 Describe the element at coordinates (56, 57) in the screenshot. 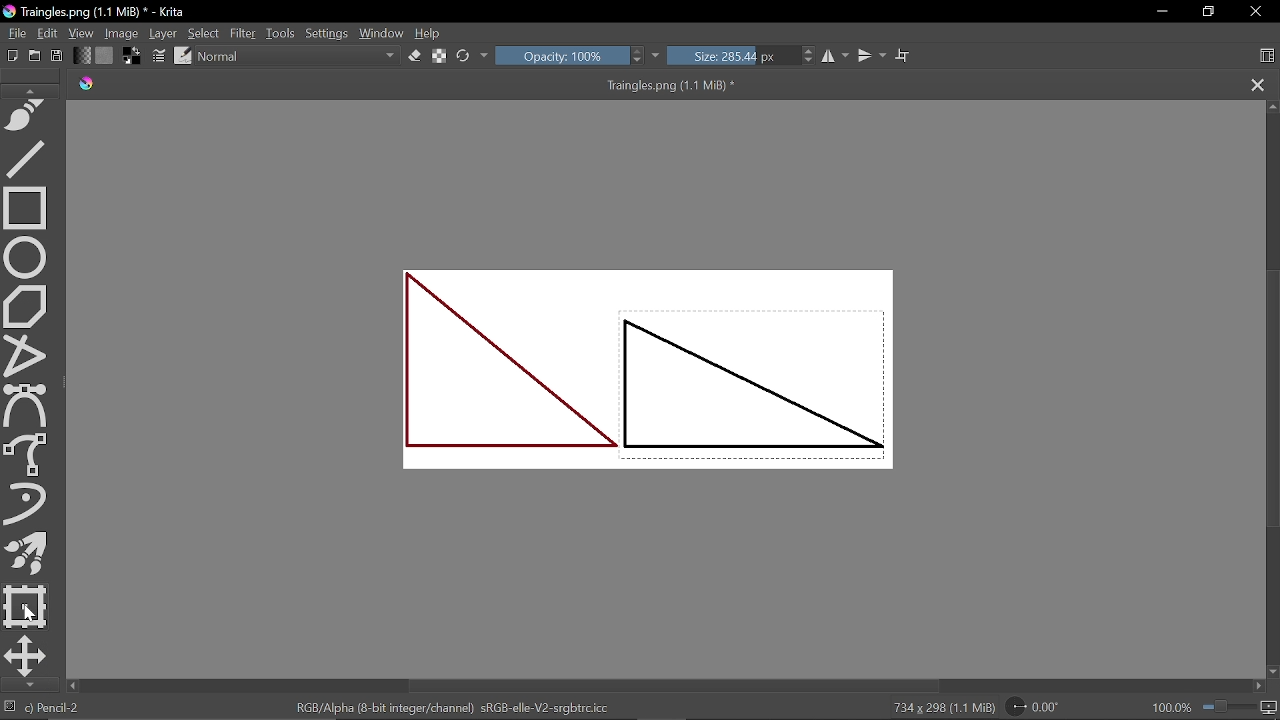

I see `Save` at that location.